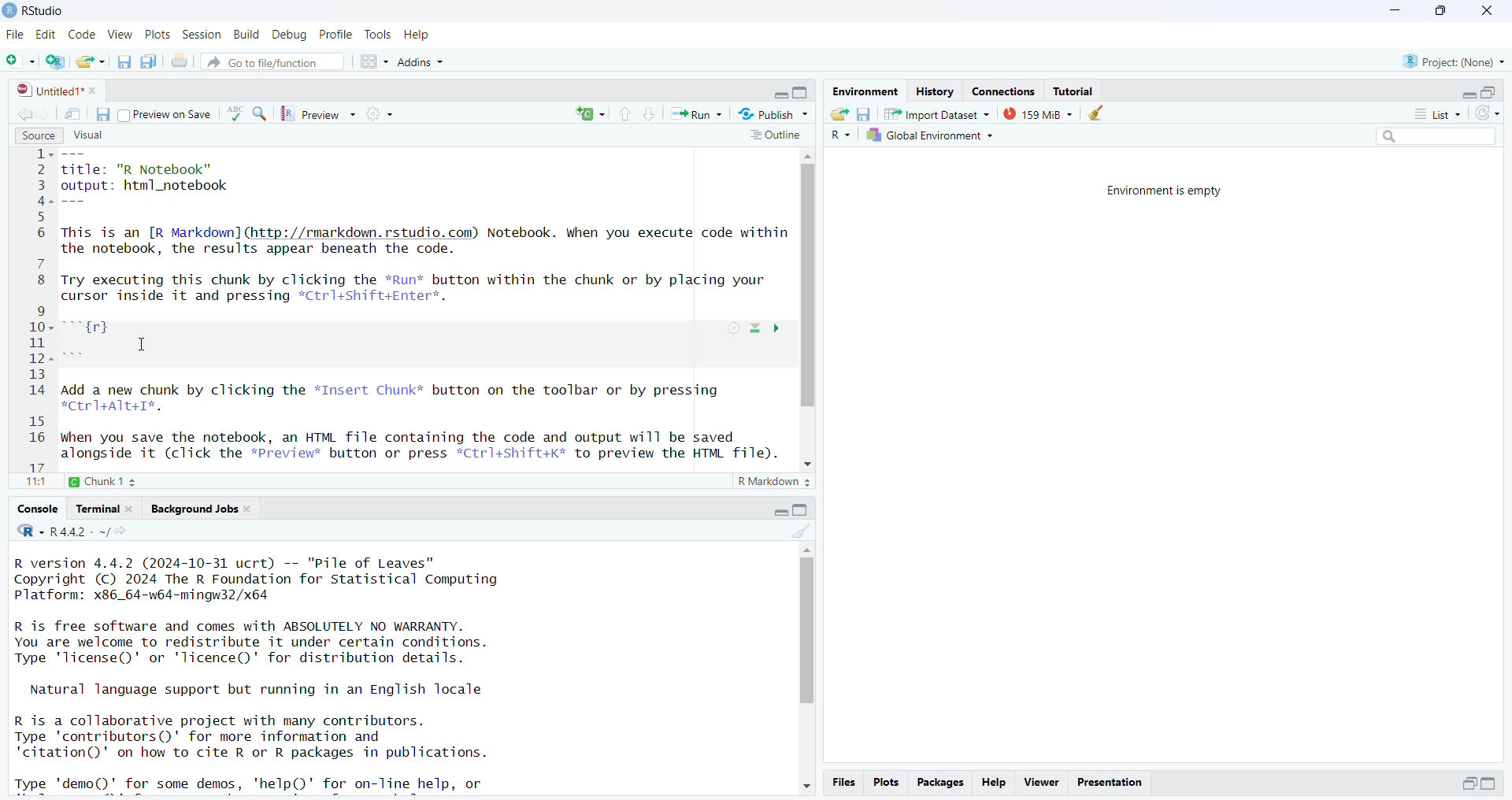 This screenshot has height=800, width=1512. I want to click on Addins, so click(421, 64).